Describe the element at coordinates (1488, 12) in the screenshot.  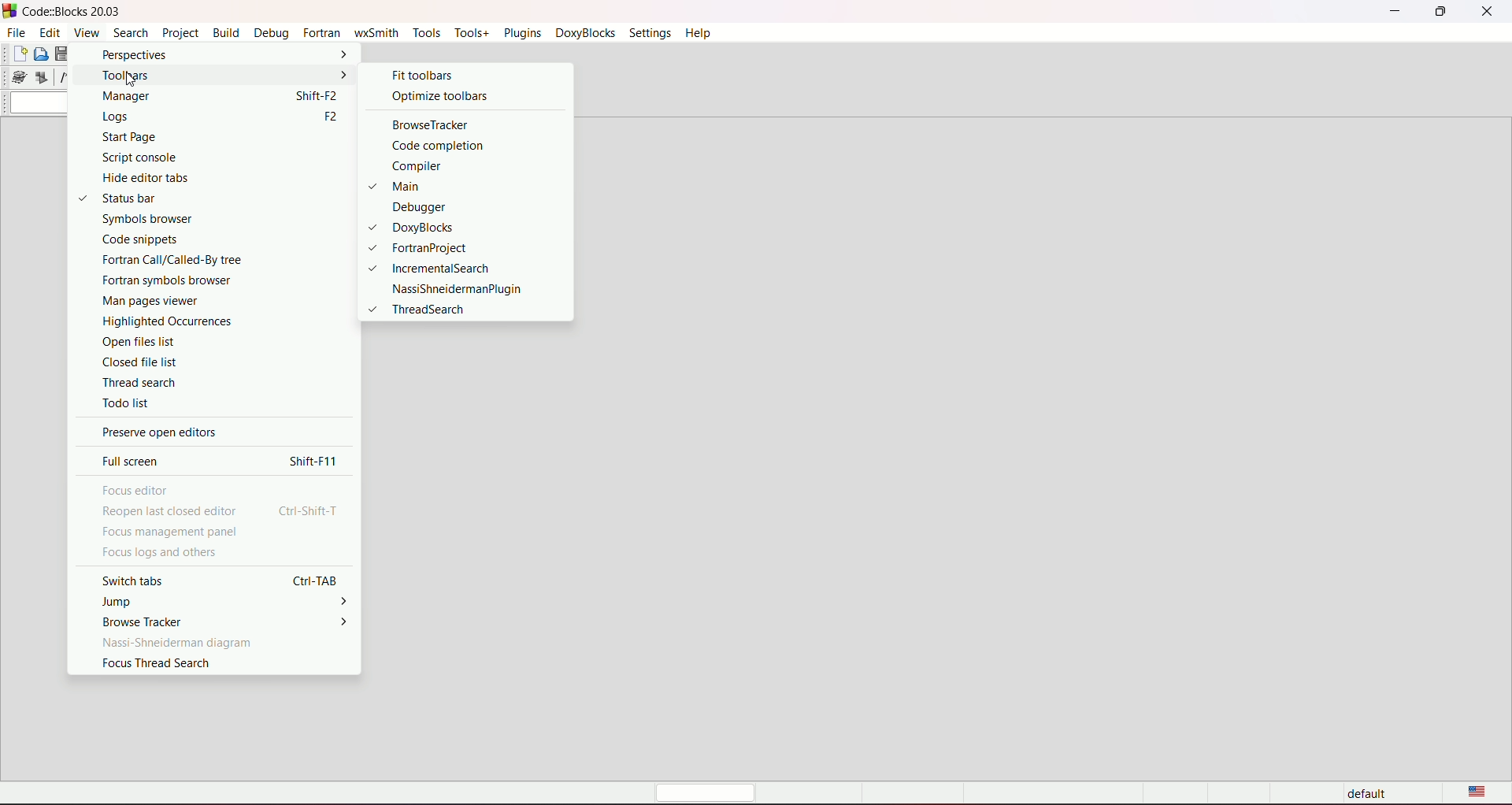
I see `close` at that location.